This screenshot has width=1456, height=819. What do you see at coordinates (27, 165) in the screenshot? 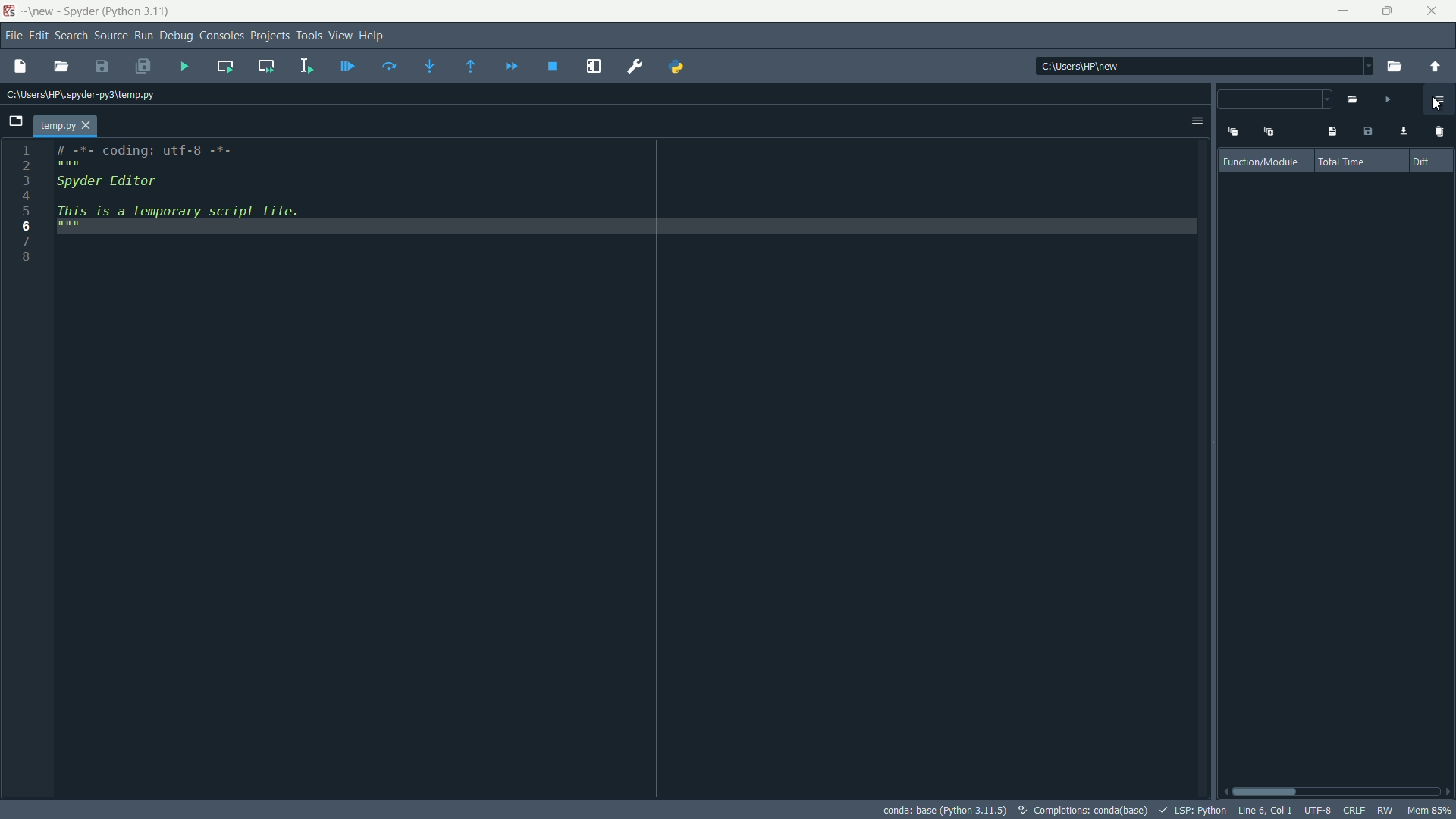
I see `2` at bounding box center [27, 165].